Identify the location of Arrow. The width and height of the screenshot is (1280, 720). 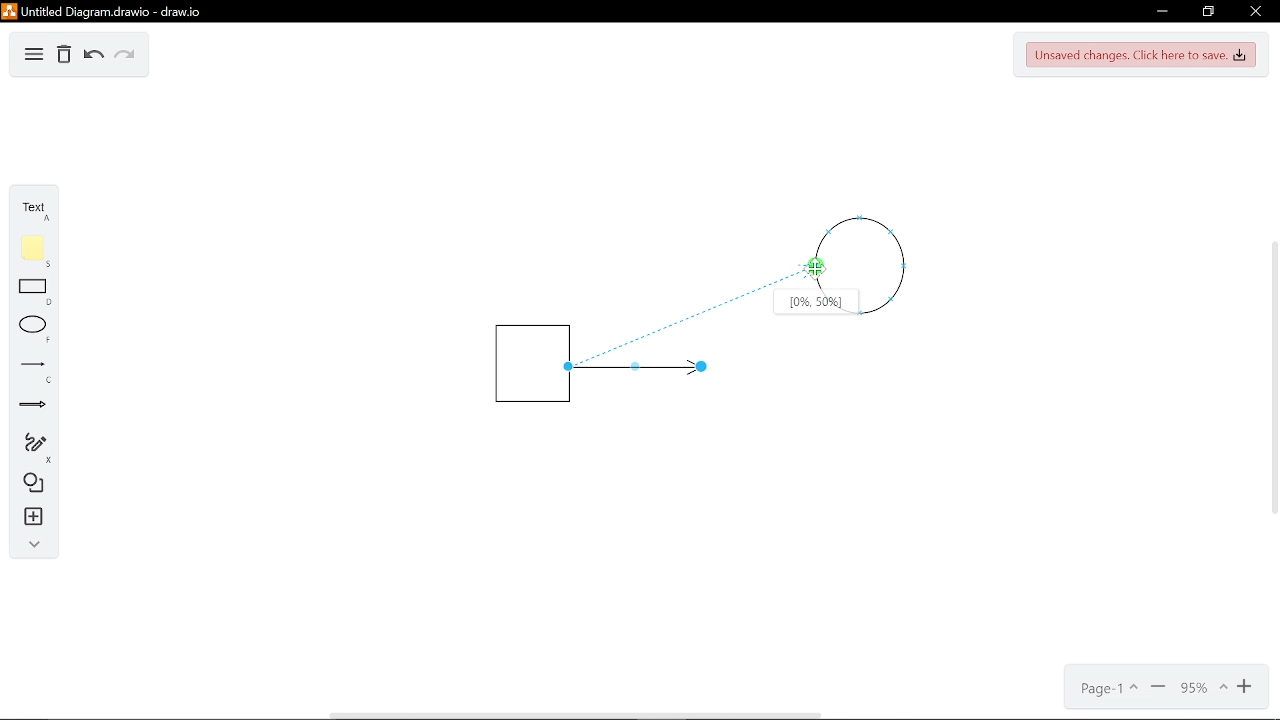
(26, 406).